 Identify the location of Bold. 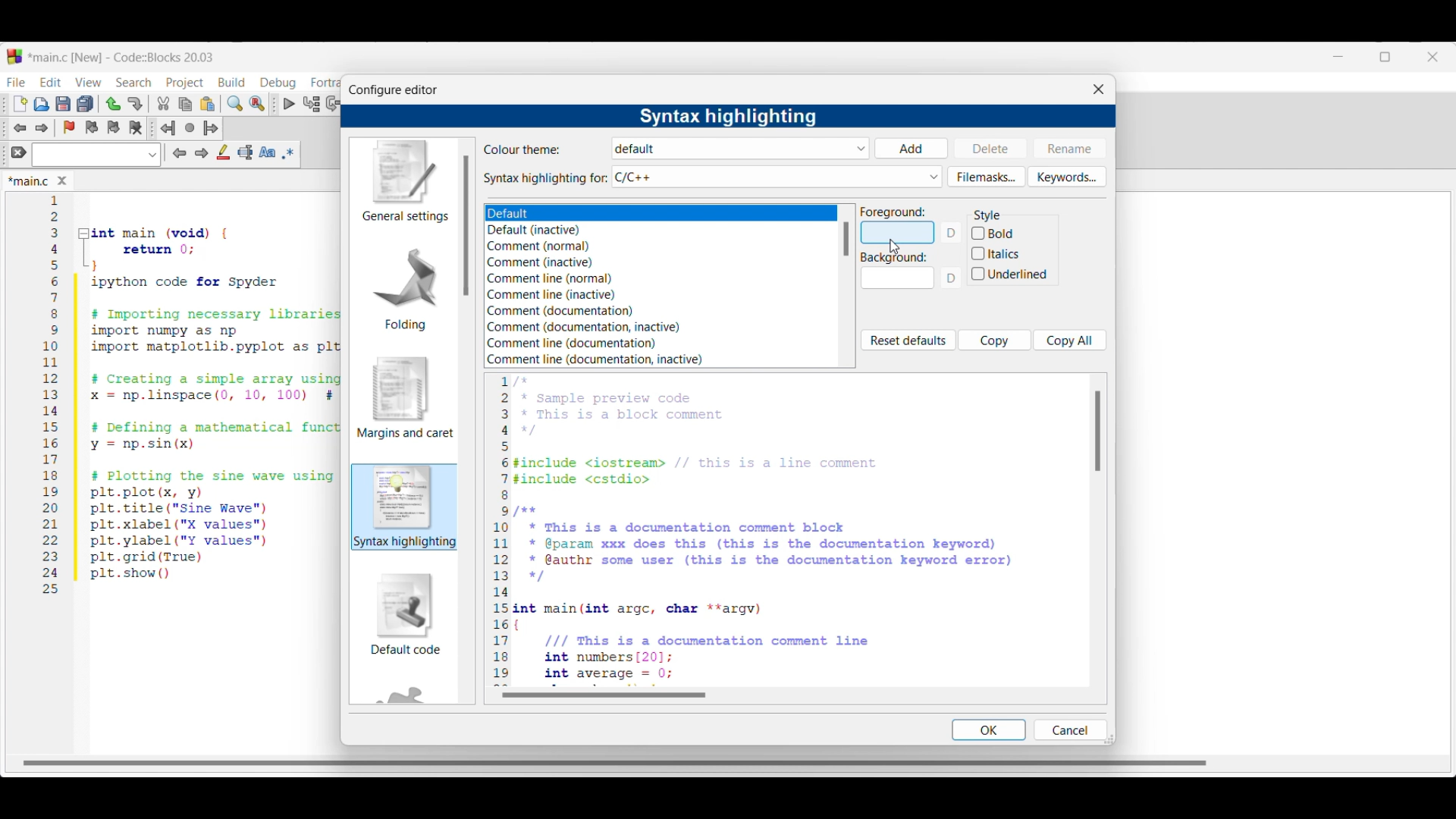
(1011, 232).